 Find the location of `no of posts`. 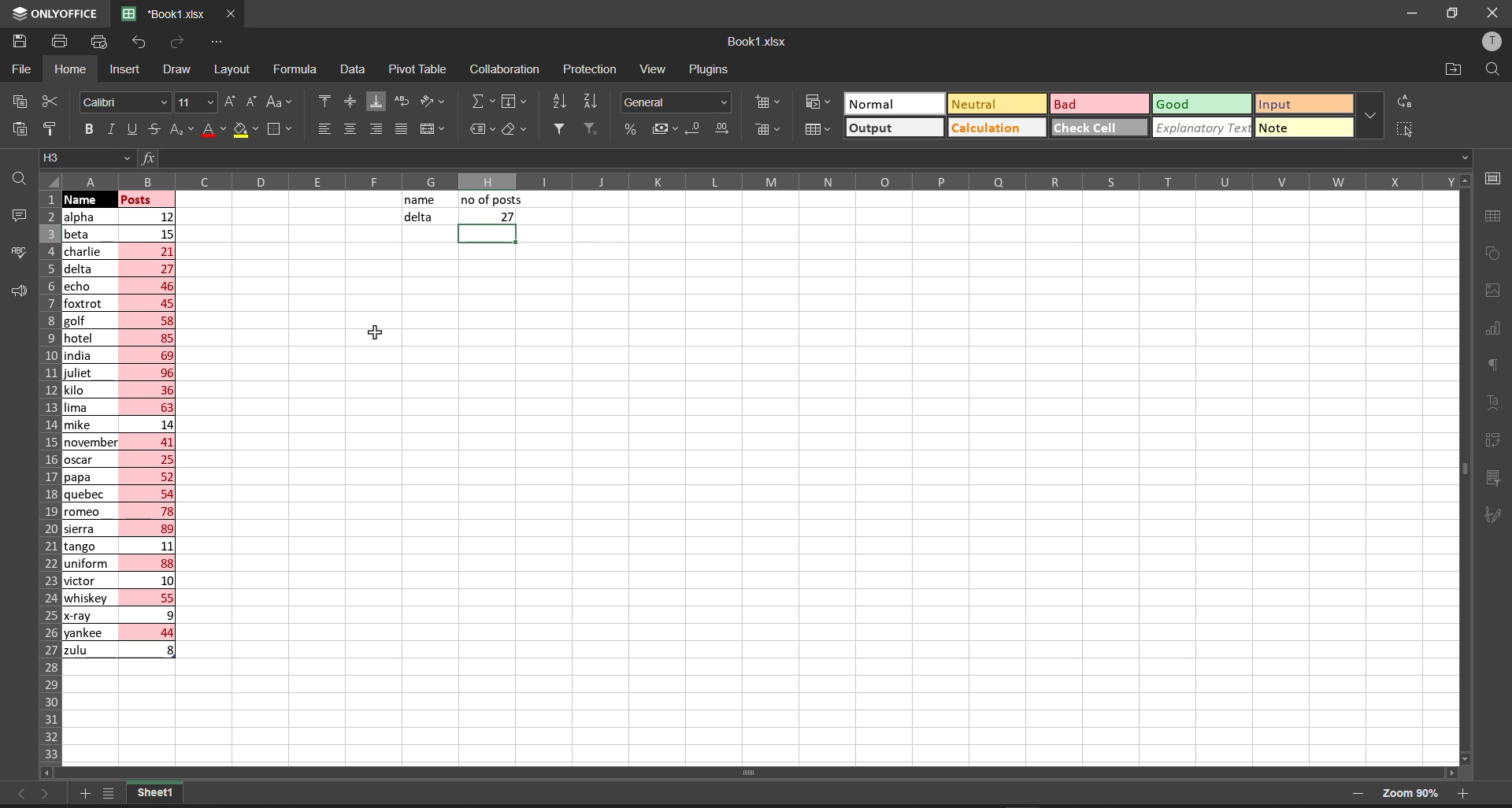

no of posts is located at coordinates (495, 202).